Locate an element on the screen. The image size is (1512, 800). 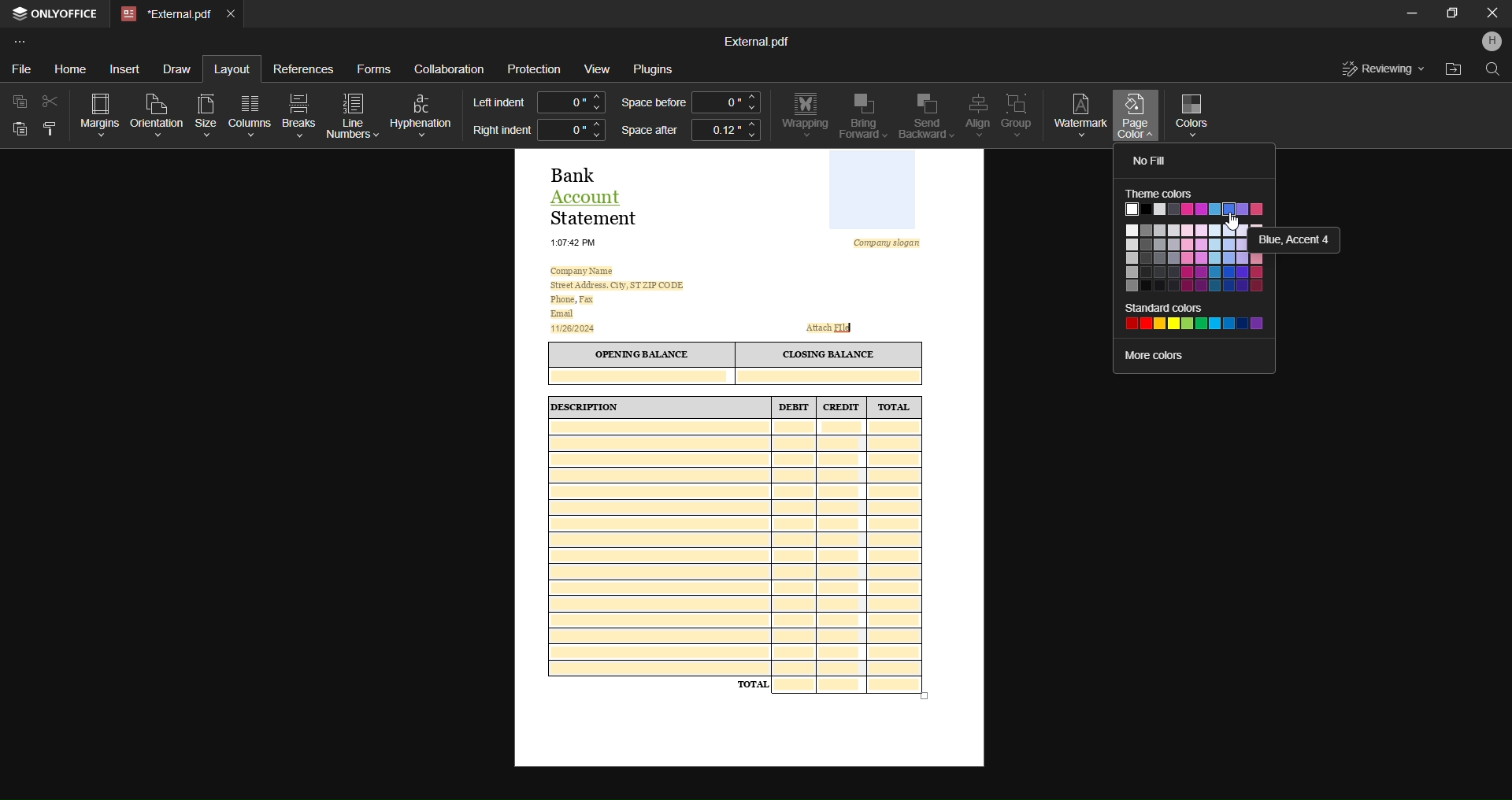
Adjust Space After is located at coordinates (726, 132).